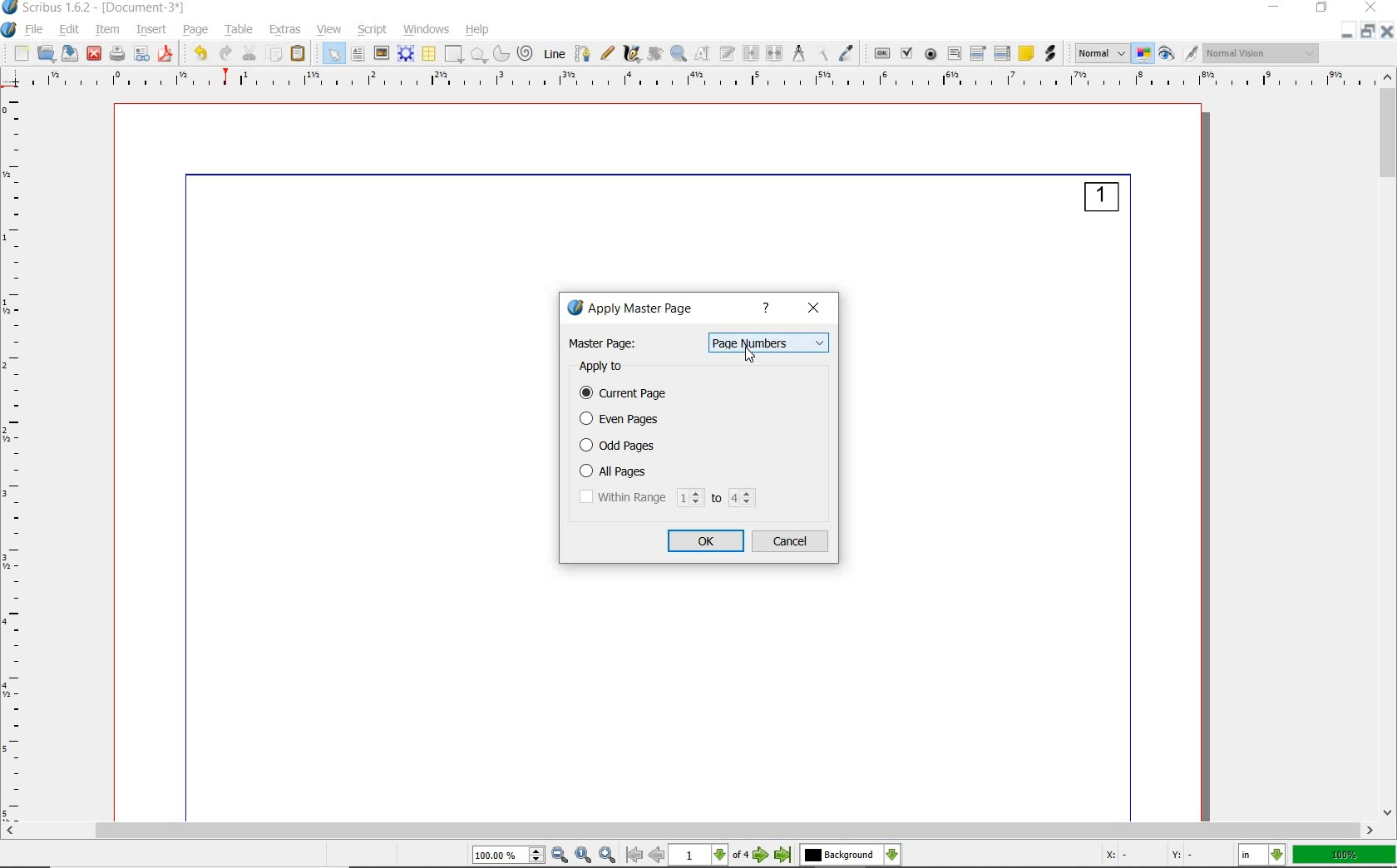  I want to click on select image preview mode, so click(1100, 55).